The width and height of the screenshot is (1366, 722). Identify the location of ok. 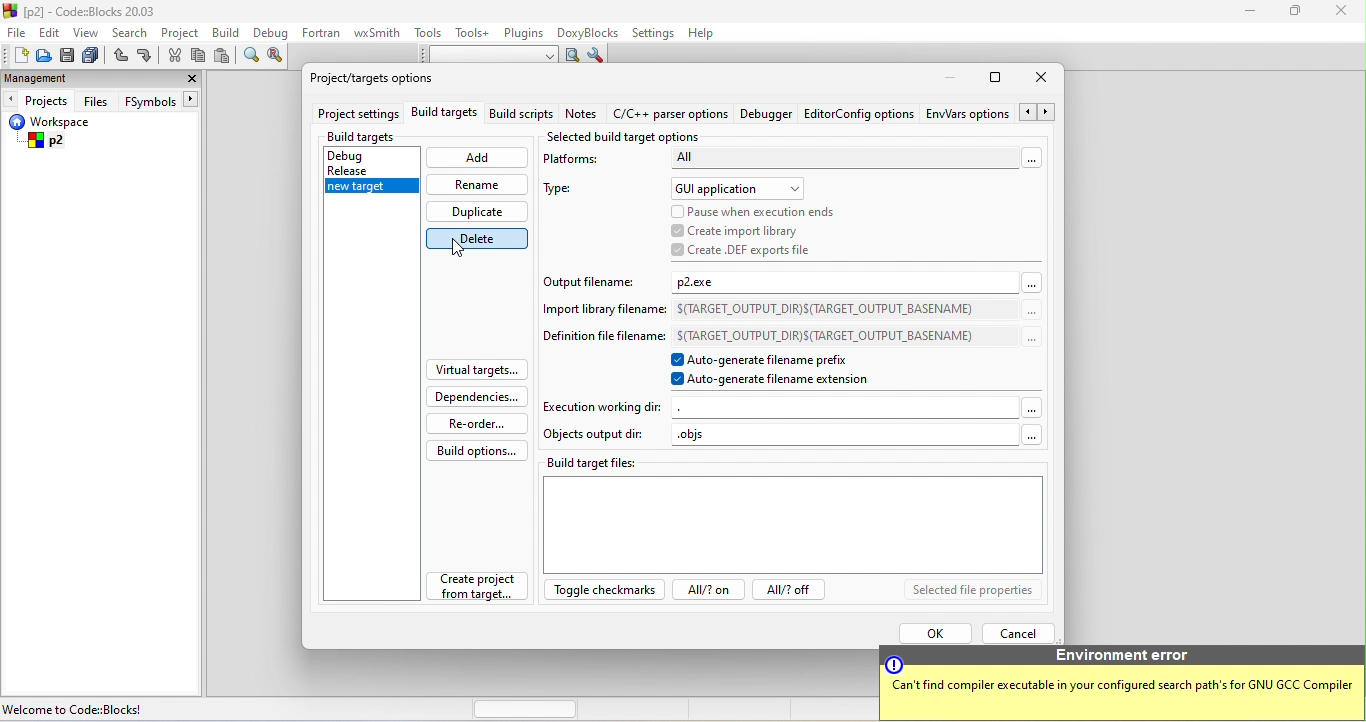
(933, 632).